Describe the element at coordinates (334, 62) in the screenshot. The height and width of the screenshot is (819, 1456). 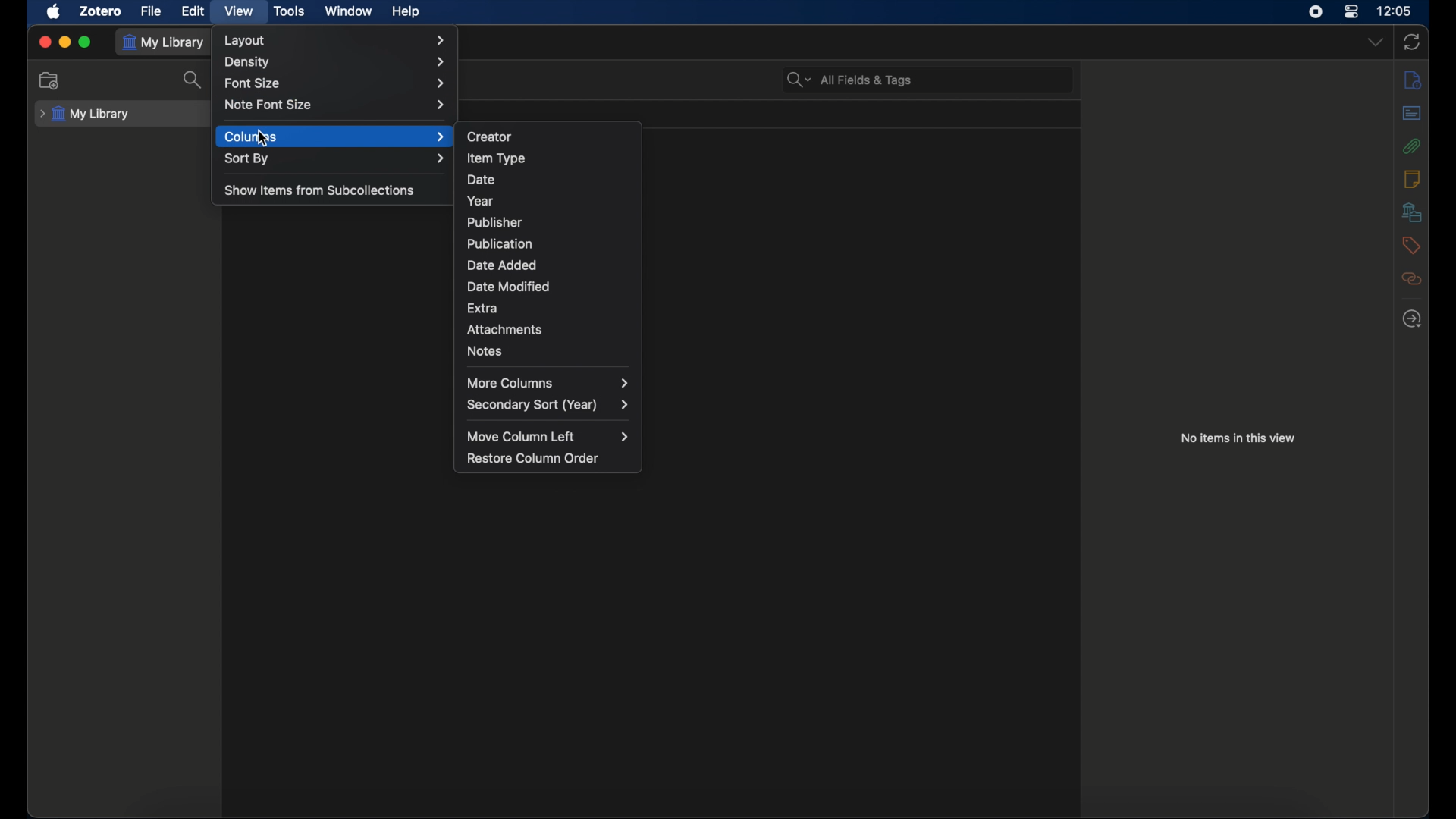
I see `density` at that location.